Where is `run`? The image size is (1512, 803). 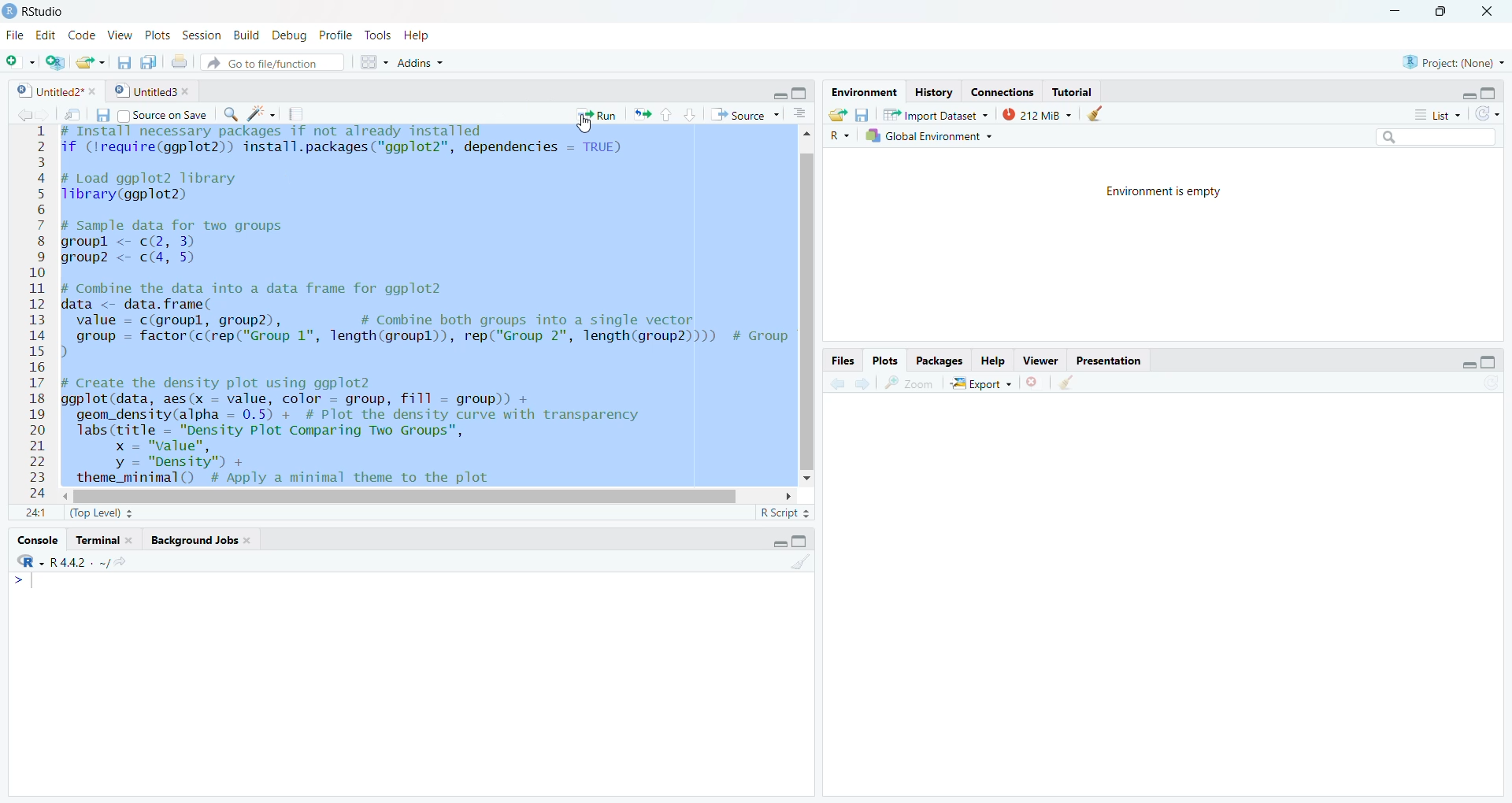 run is located at coordinates (591, 115).